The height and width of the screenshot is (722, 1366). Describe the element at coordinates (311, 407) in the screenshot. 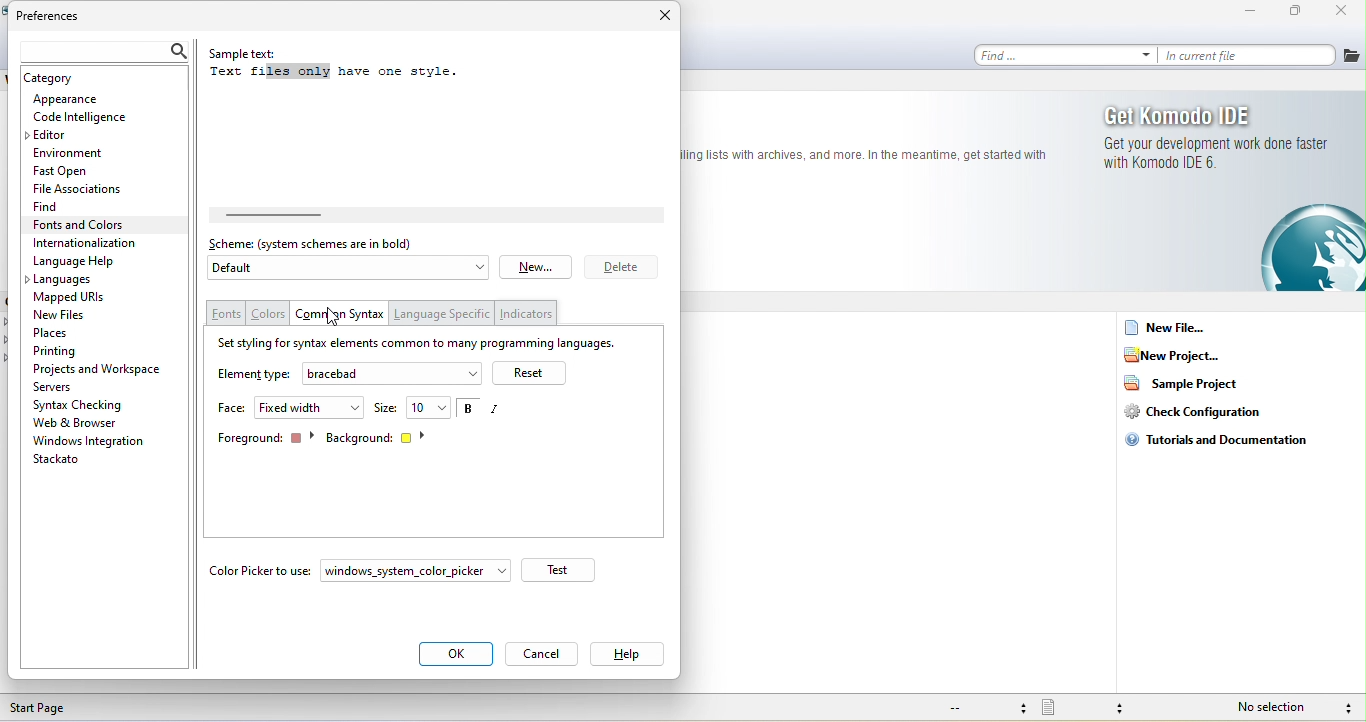

I see `fixed width` at that location.